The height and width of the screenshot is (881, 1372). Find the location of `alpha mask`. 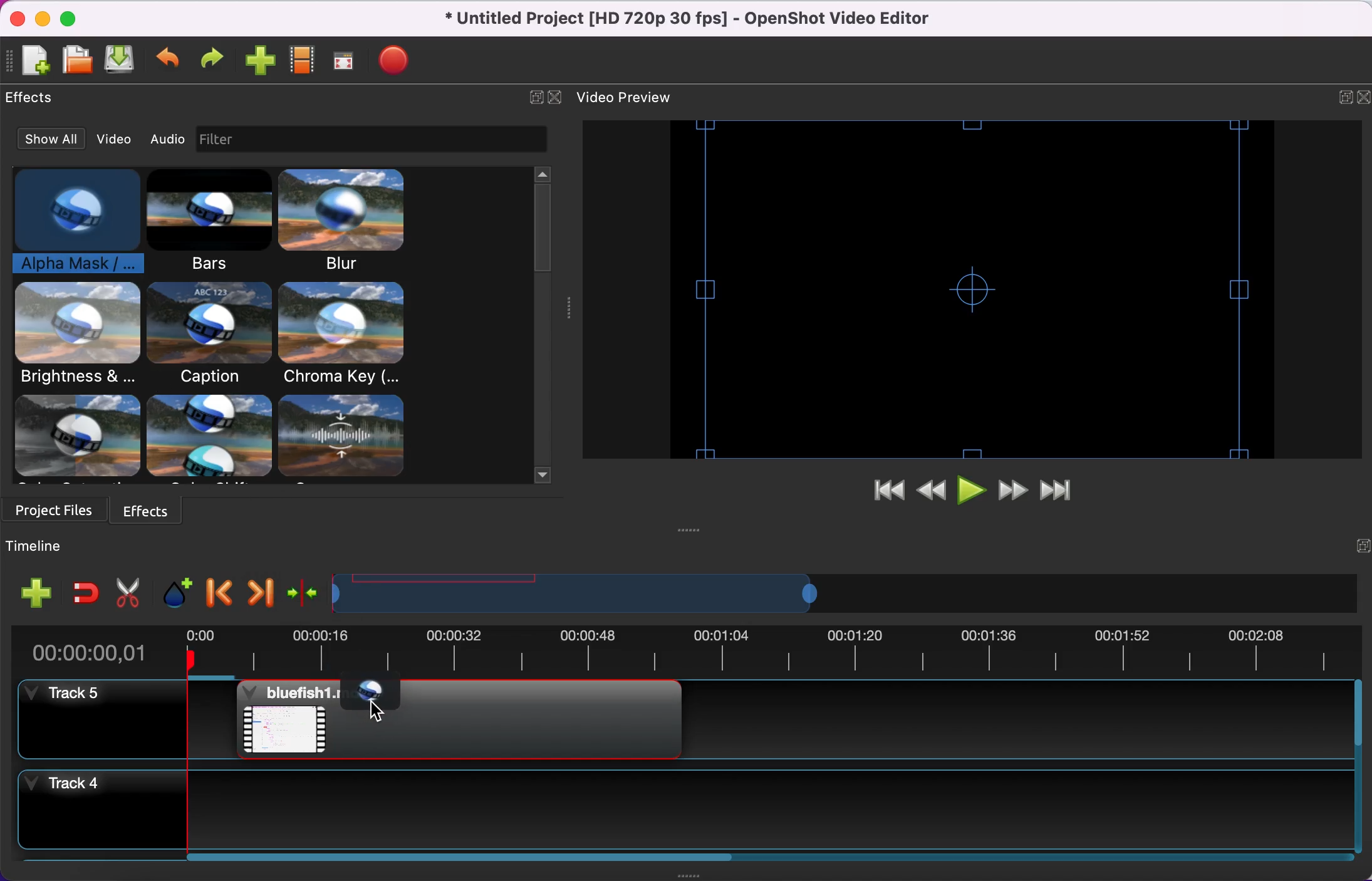

alpha mask is located at coordinates (67, 223).